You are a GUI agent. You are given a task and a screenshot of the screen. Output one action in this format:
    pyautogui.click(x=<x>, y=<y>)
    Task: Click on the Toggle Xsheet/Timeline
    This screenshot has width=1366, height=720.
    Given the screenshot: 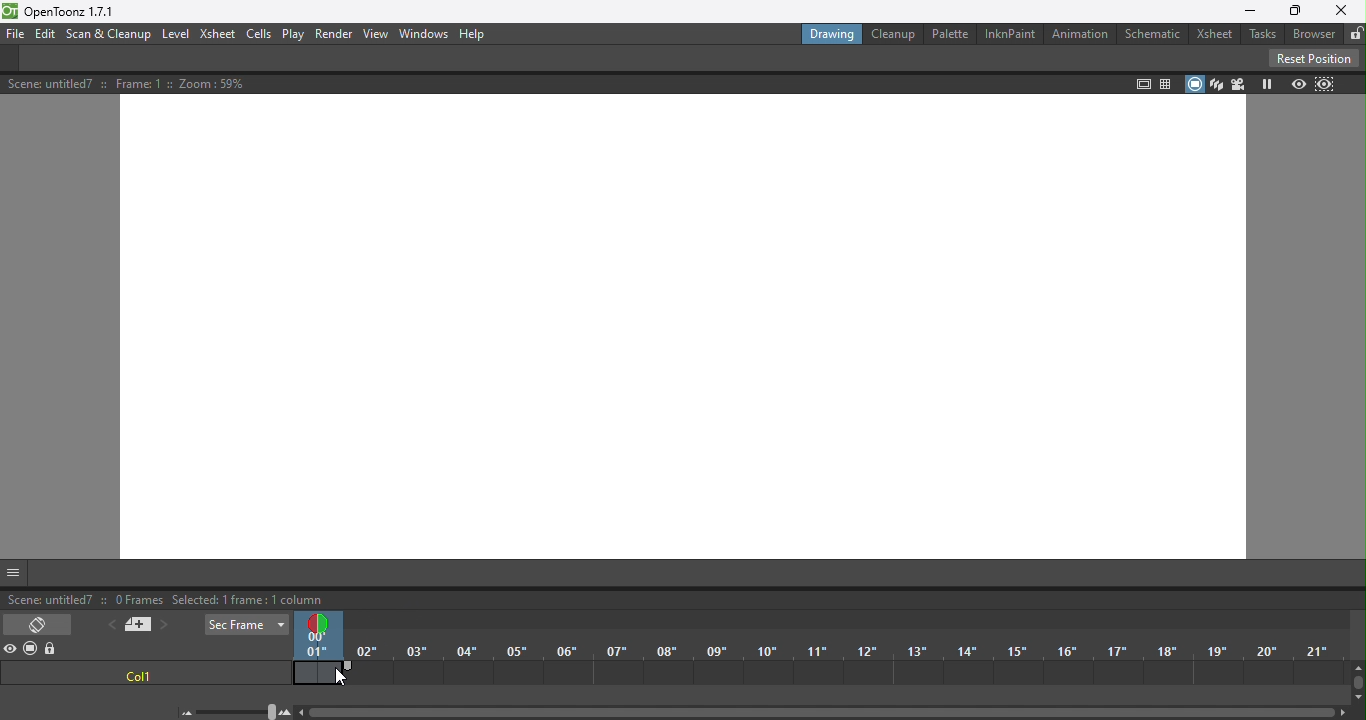 What is the action you would take?
    pyautogui.click(x=40, y=622)
    